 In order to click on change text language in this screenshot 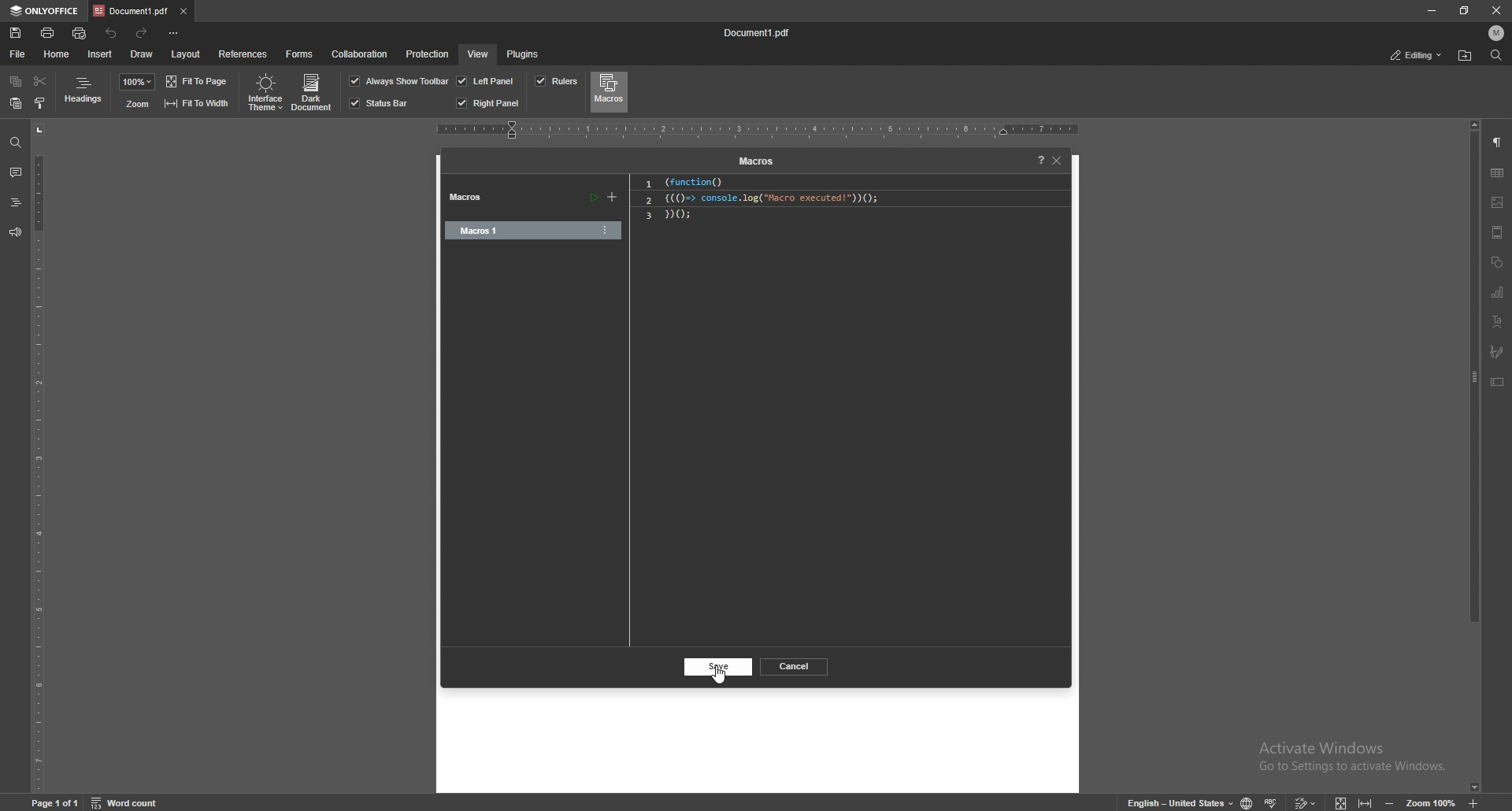, I will do `click(1173, 801)`.